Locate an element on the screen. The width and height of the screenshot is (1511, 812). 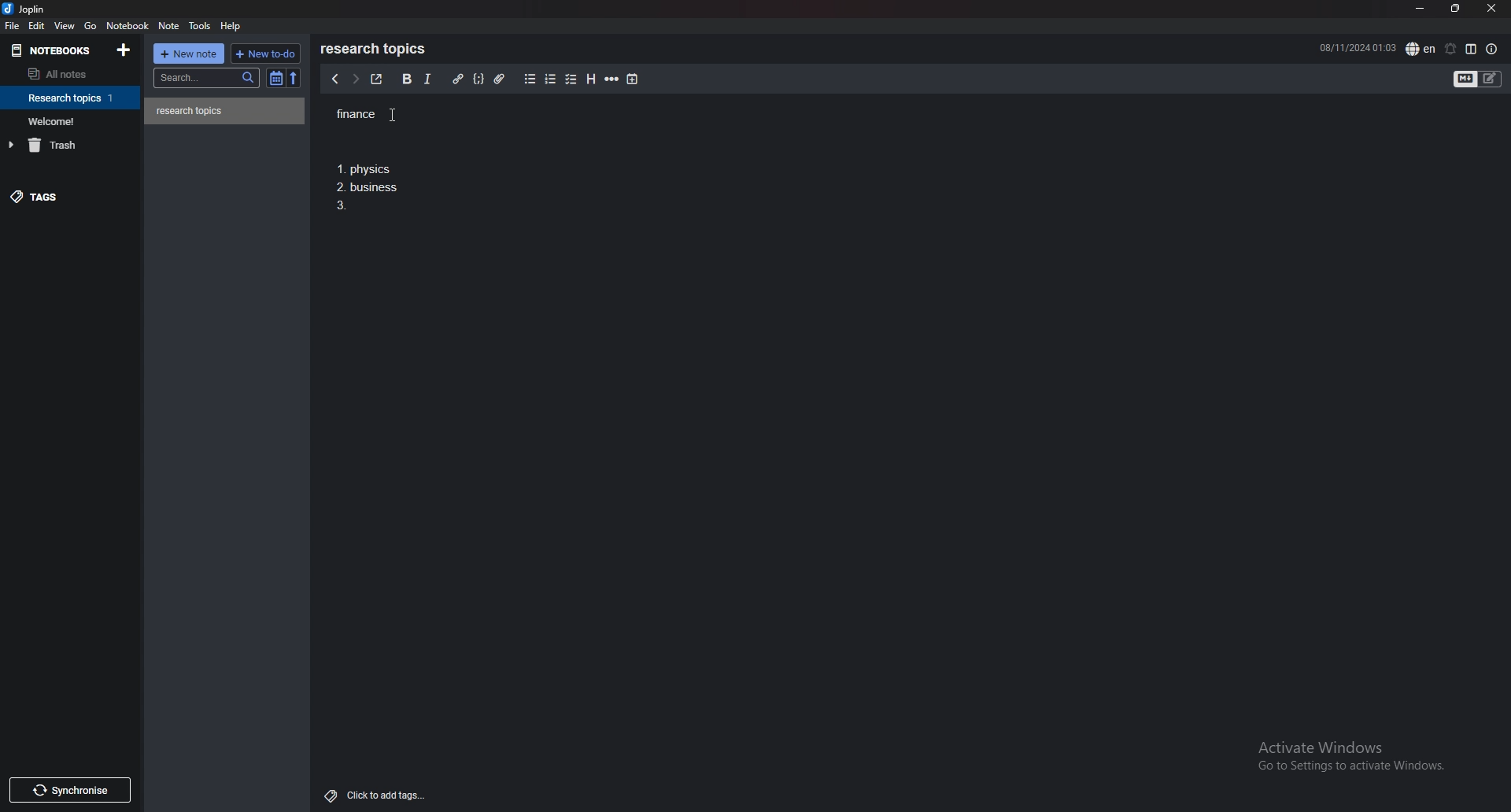
reverse sort order is located at coordinates (293, 78).